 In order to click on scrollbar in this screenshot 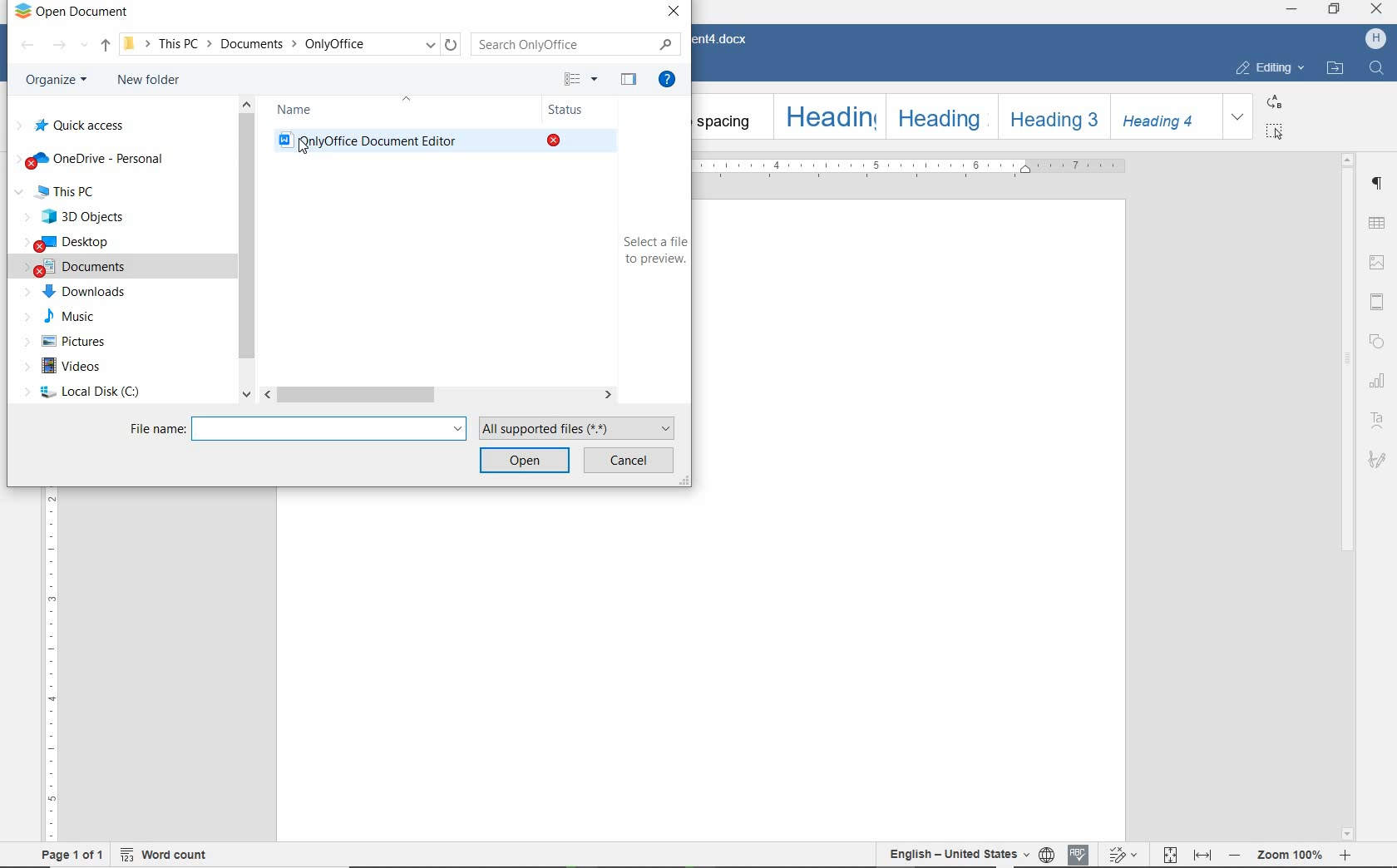, I will do `click(246, 248)`.